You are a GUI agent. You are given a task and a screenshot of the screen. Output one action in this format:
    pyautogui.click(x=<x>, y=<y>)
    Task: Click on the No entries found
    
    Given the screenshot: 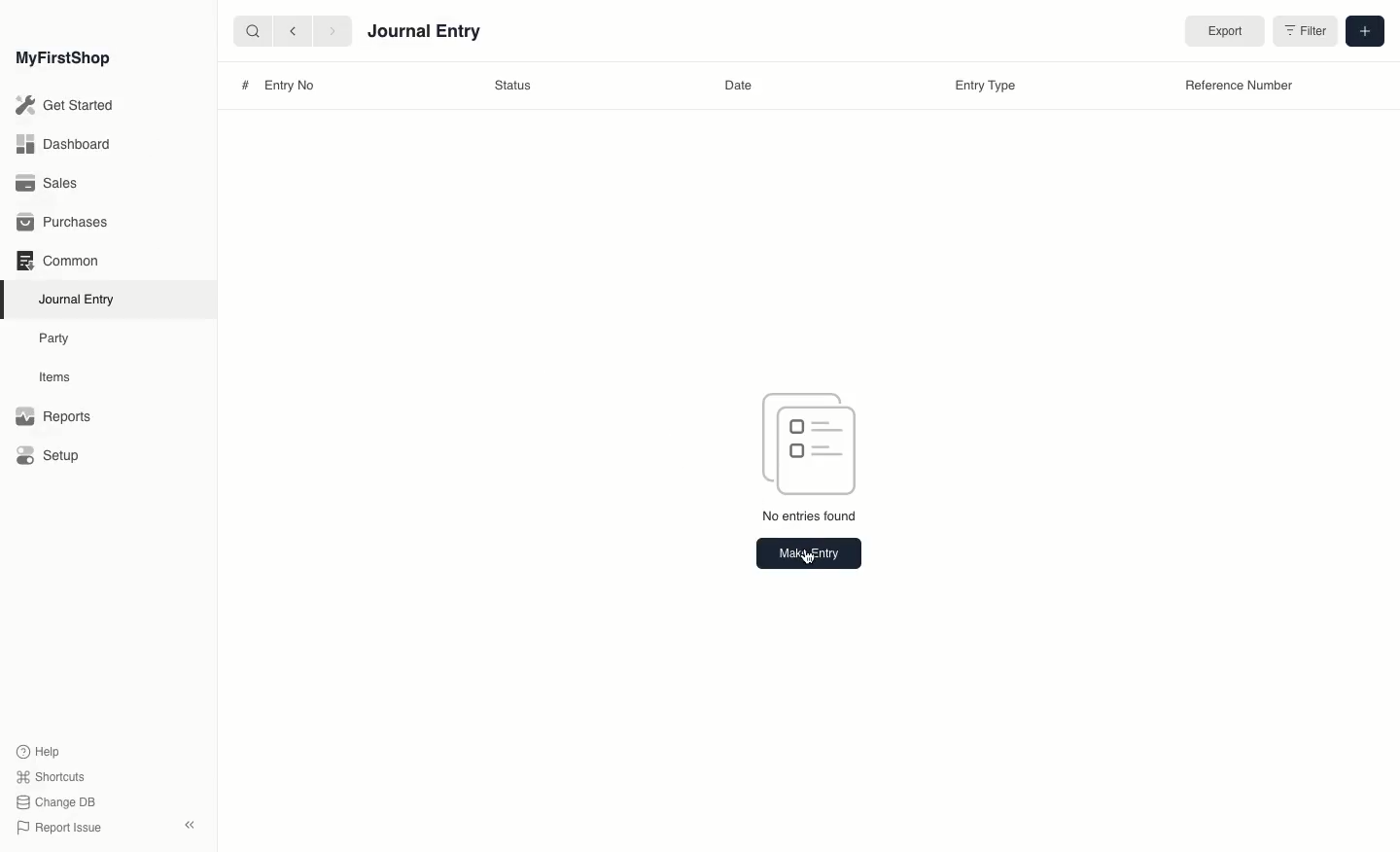 What is the action you would take?
    pyautogui.click(x=810, y=517)
    